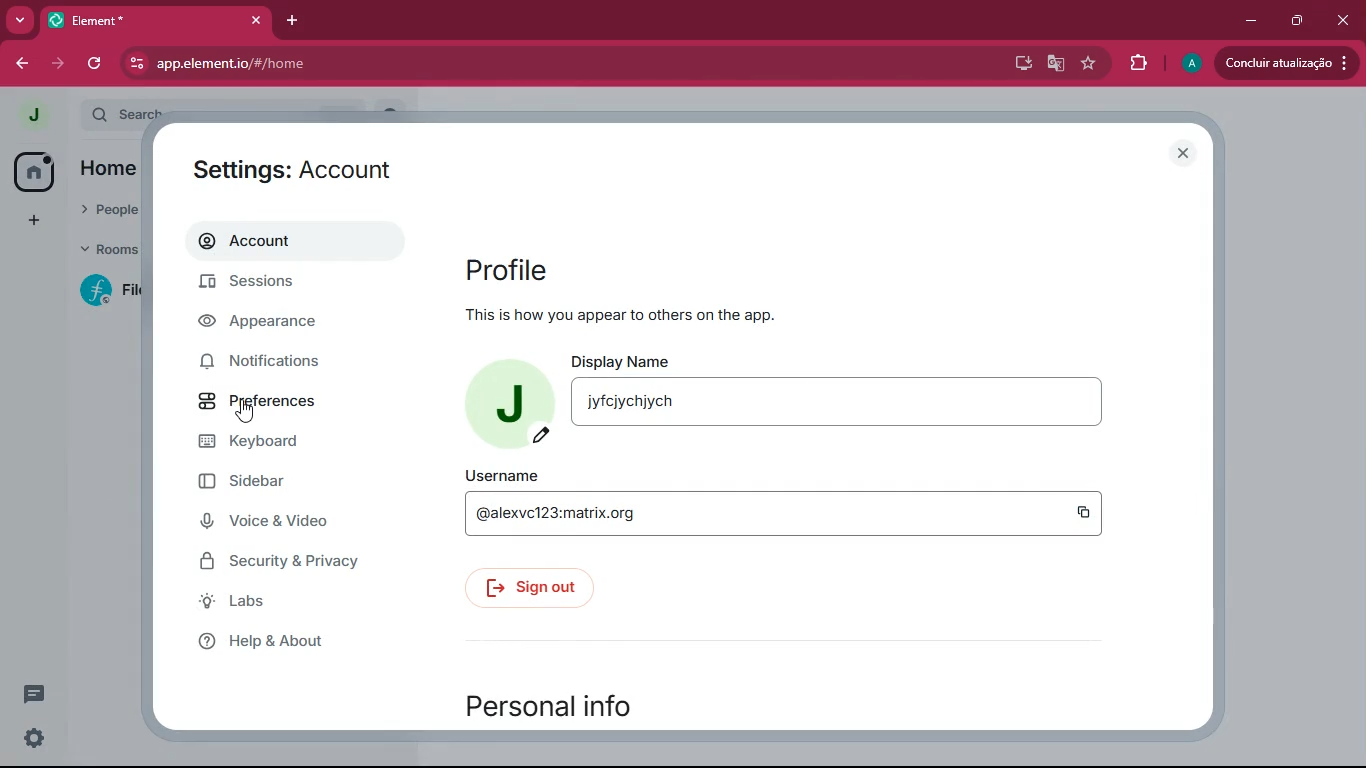  Describe the element at coordinates (111, 167) in the screenshot. I see `home` at that location.